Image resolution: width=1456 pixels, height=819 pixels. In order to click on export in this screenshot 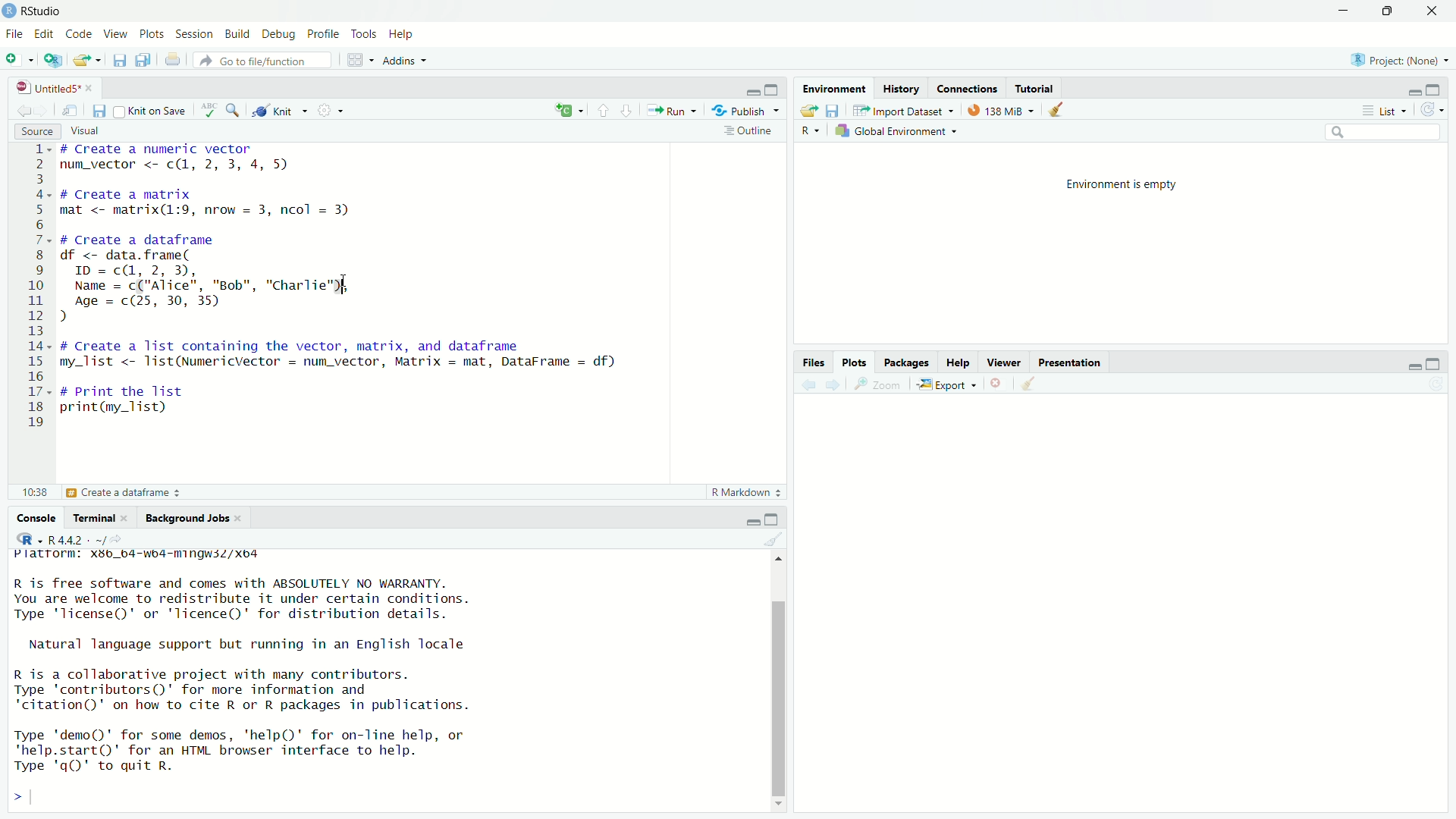, I will do `click(806, 111)`.